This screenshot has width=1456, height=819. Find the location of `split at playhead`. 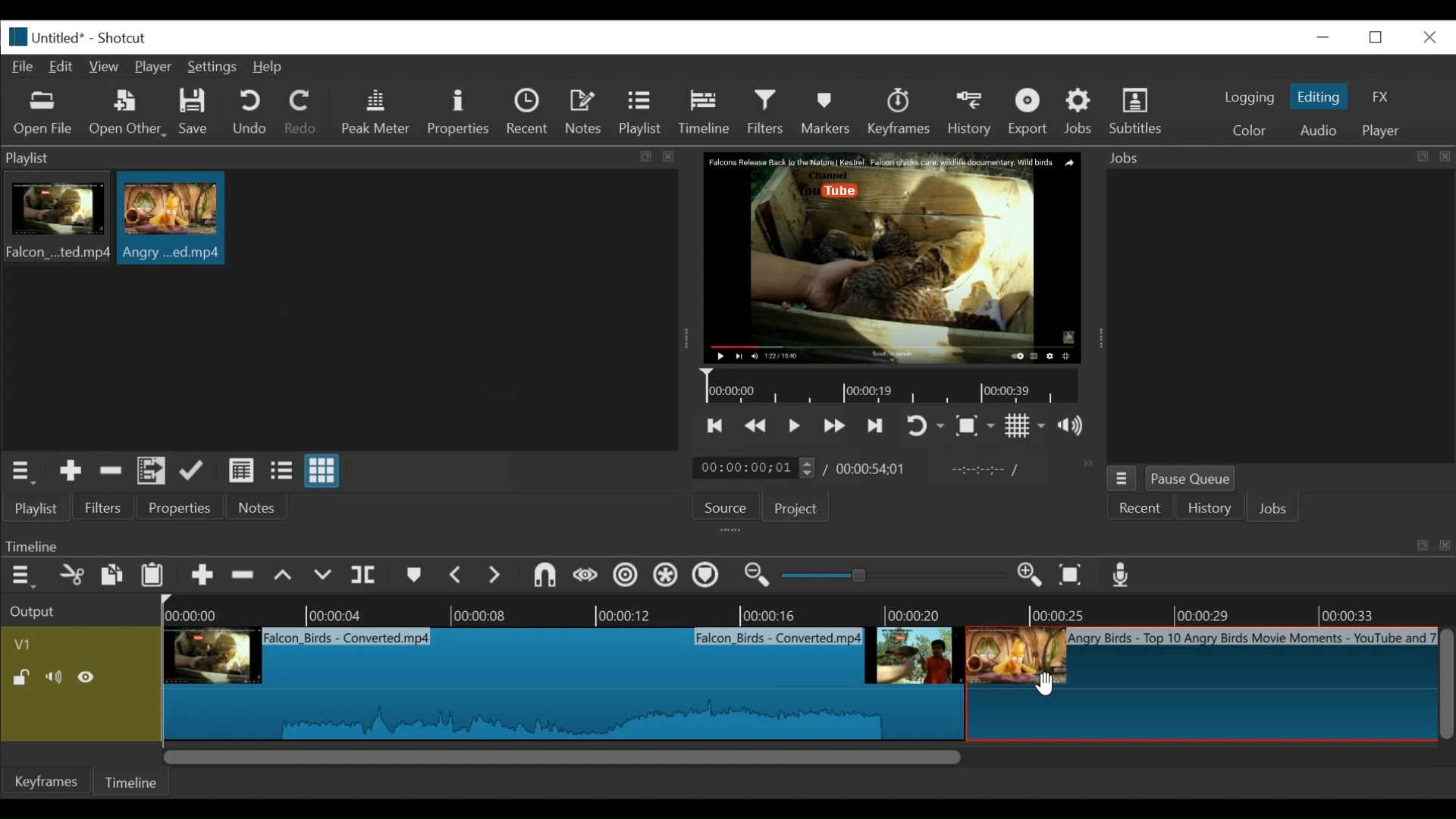

split at playhead is located at coordinates (366, 576).